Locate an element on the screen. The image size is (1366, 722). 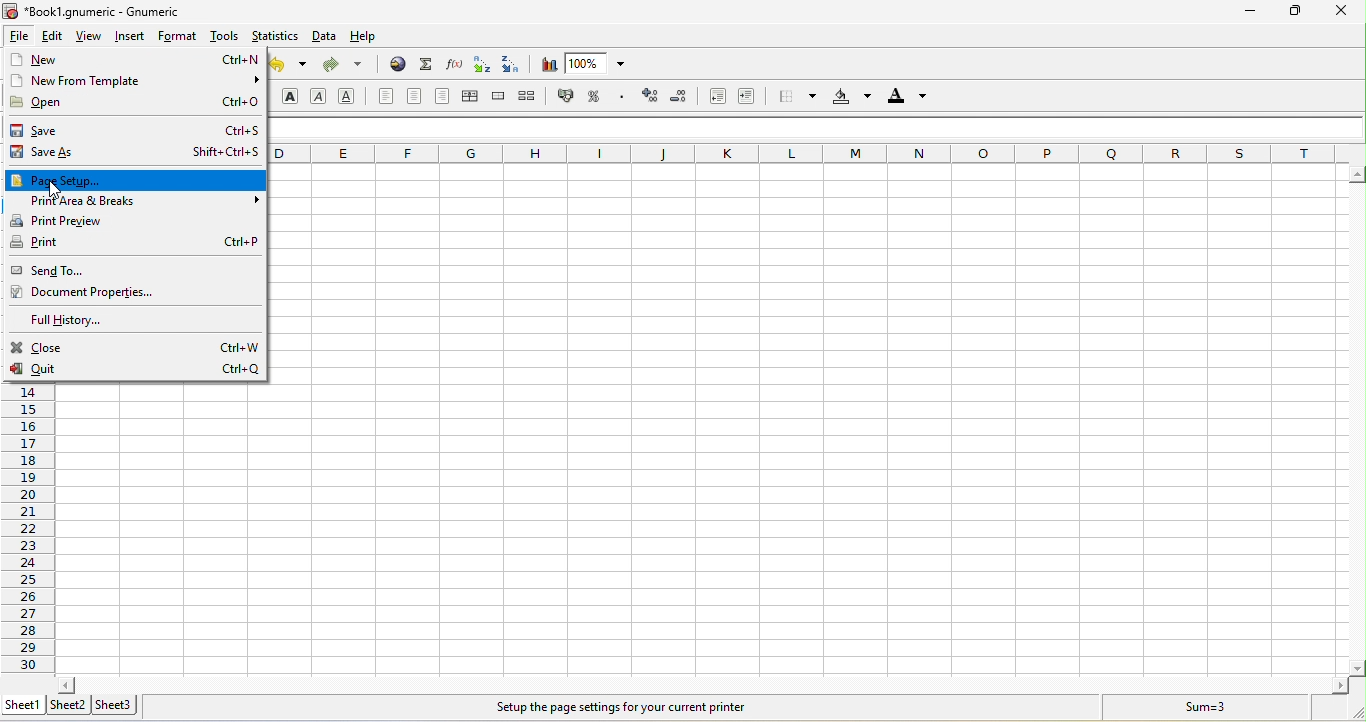
undo is located at coordinates (293, 68).